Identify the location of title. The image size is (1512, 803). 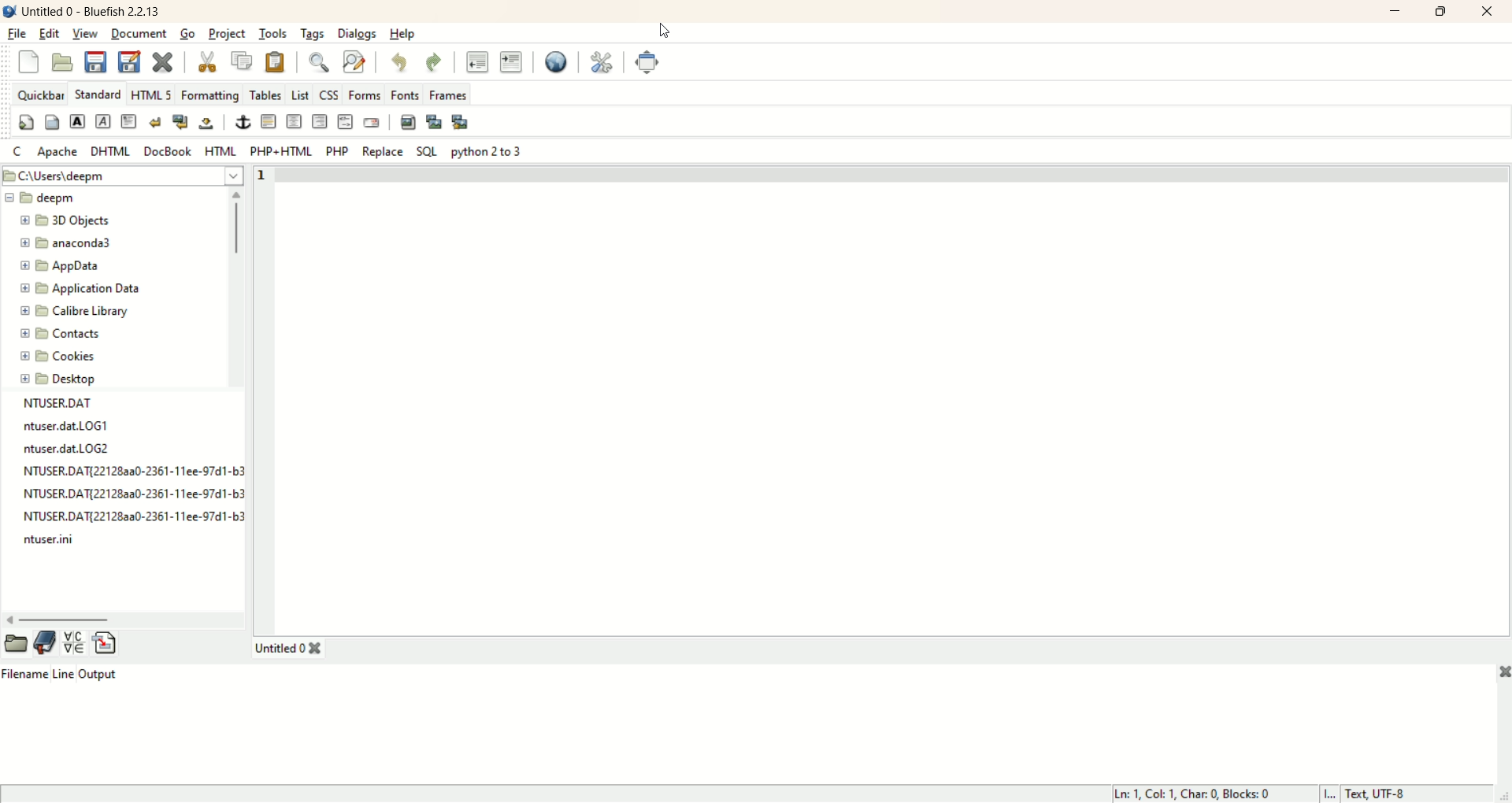
(92, 9).